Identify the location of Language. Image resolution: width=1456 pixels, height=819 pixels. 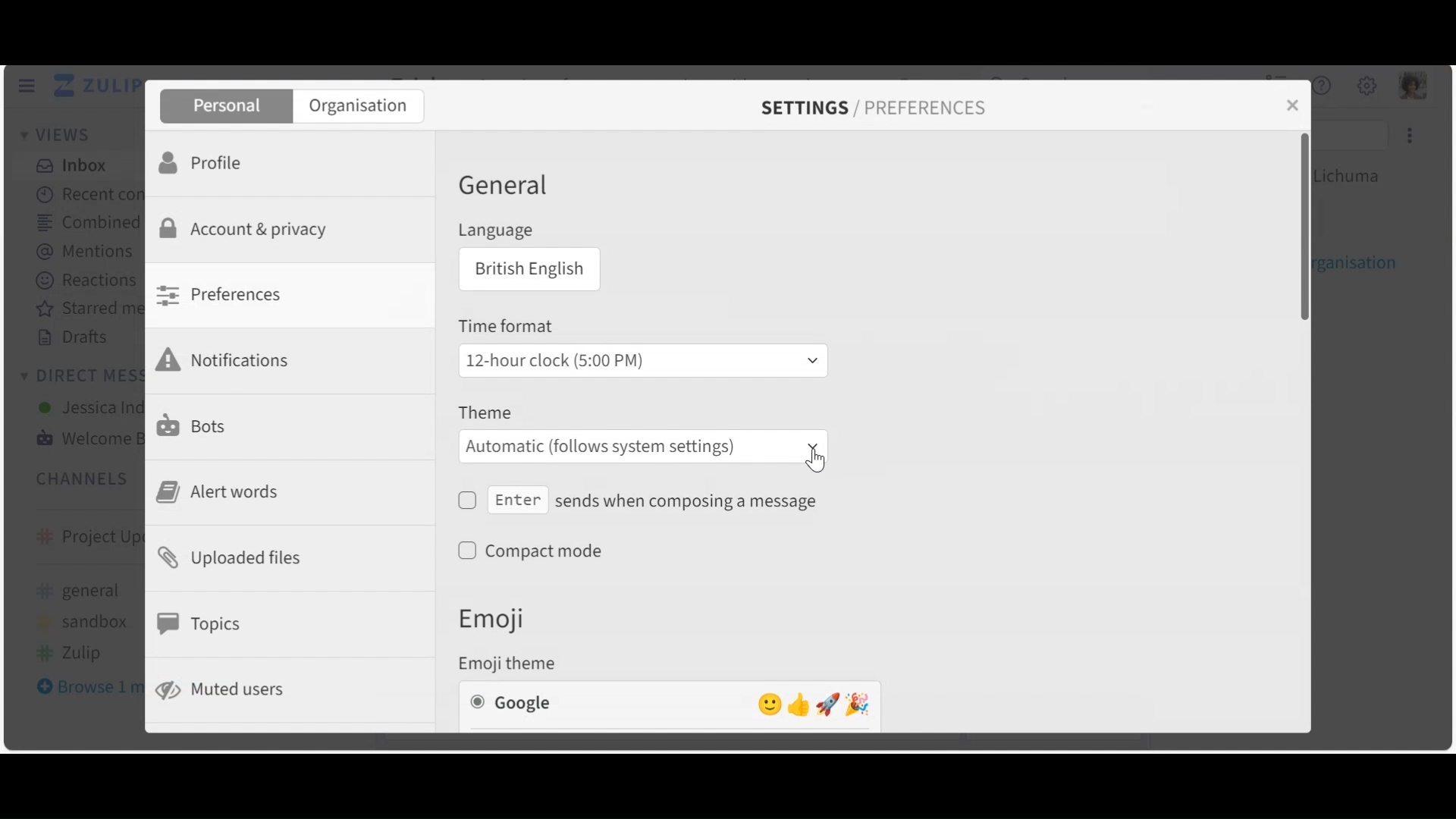
(494, 231).